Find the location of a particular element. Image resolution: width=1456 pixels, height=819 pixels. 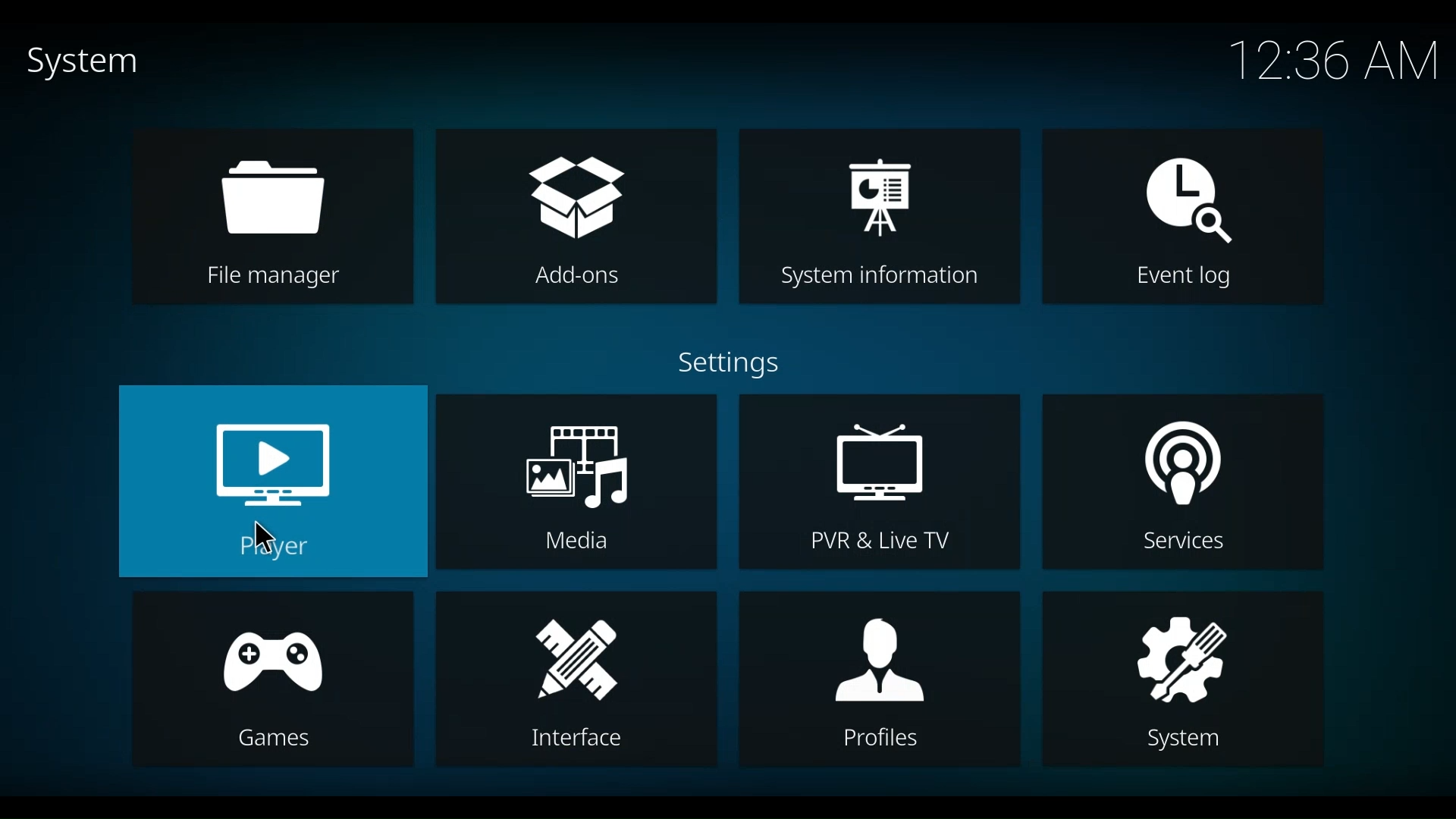

System is located at coordinates (76, 62).